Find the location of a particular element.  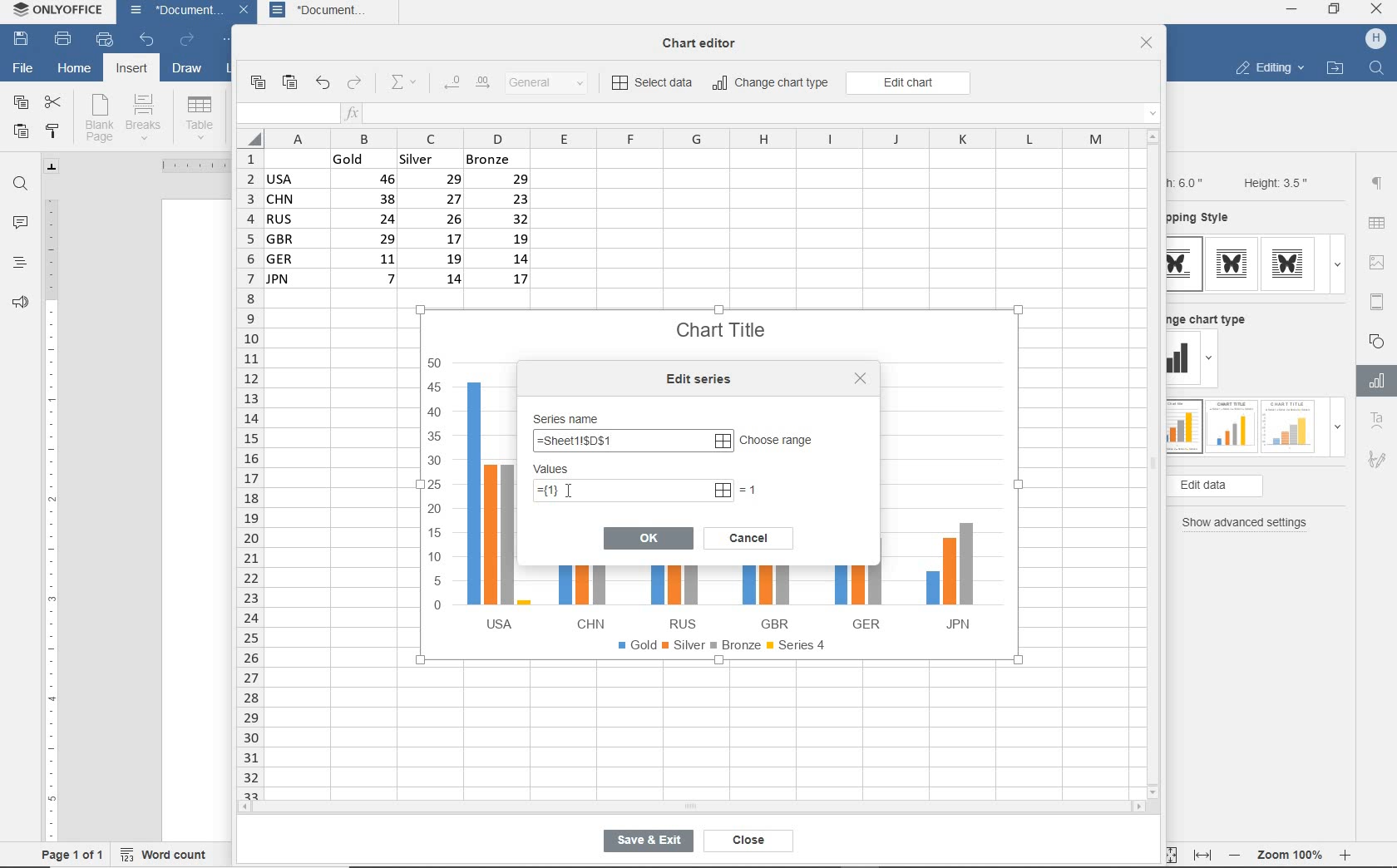

type 1 is located at coordinates (1185, 264).